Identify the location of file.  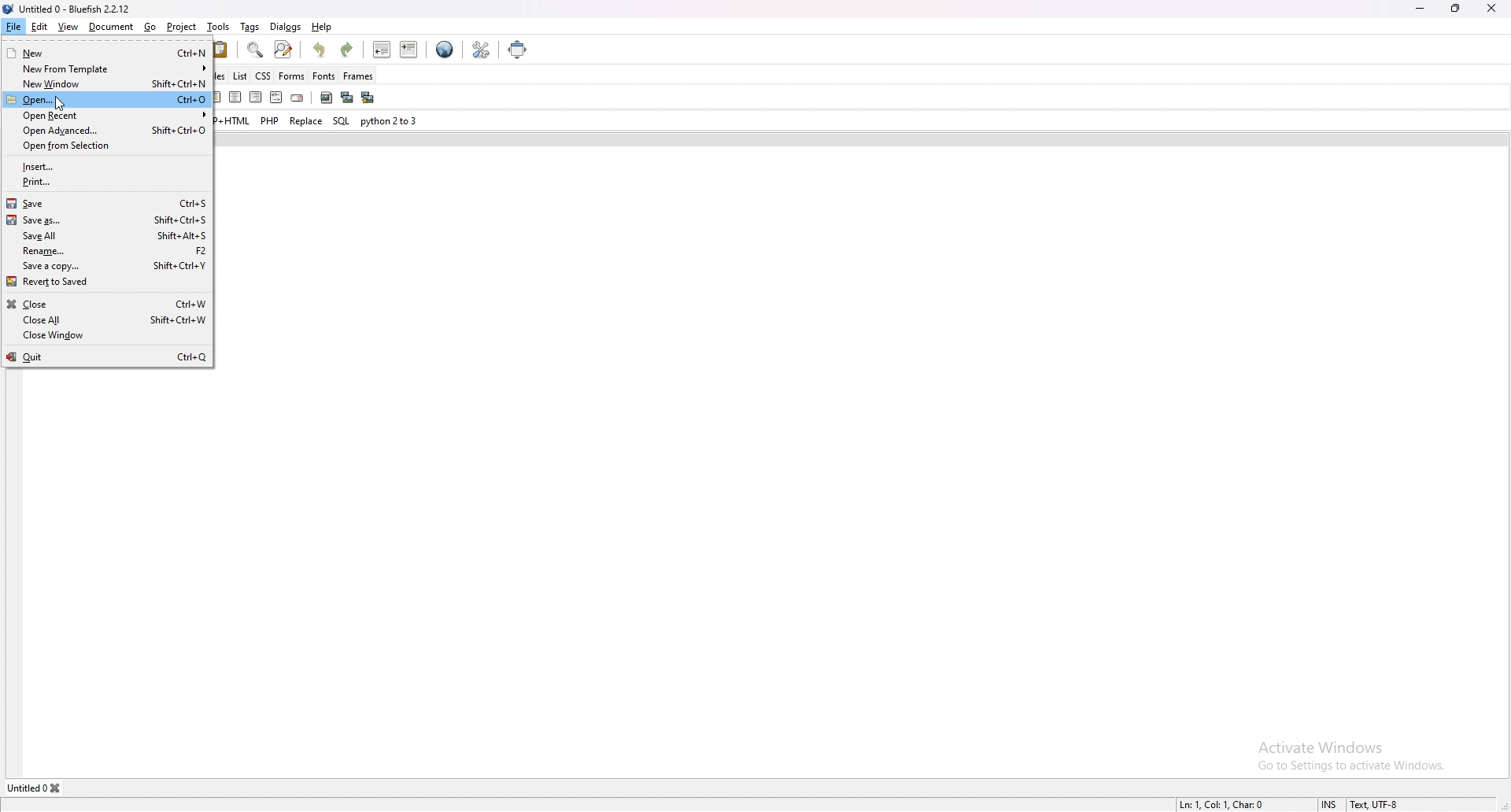
(14, 26).